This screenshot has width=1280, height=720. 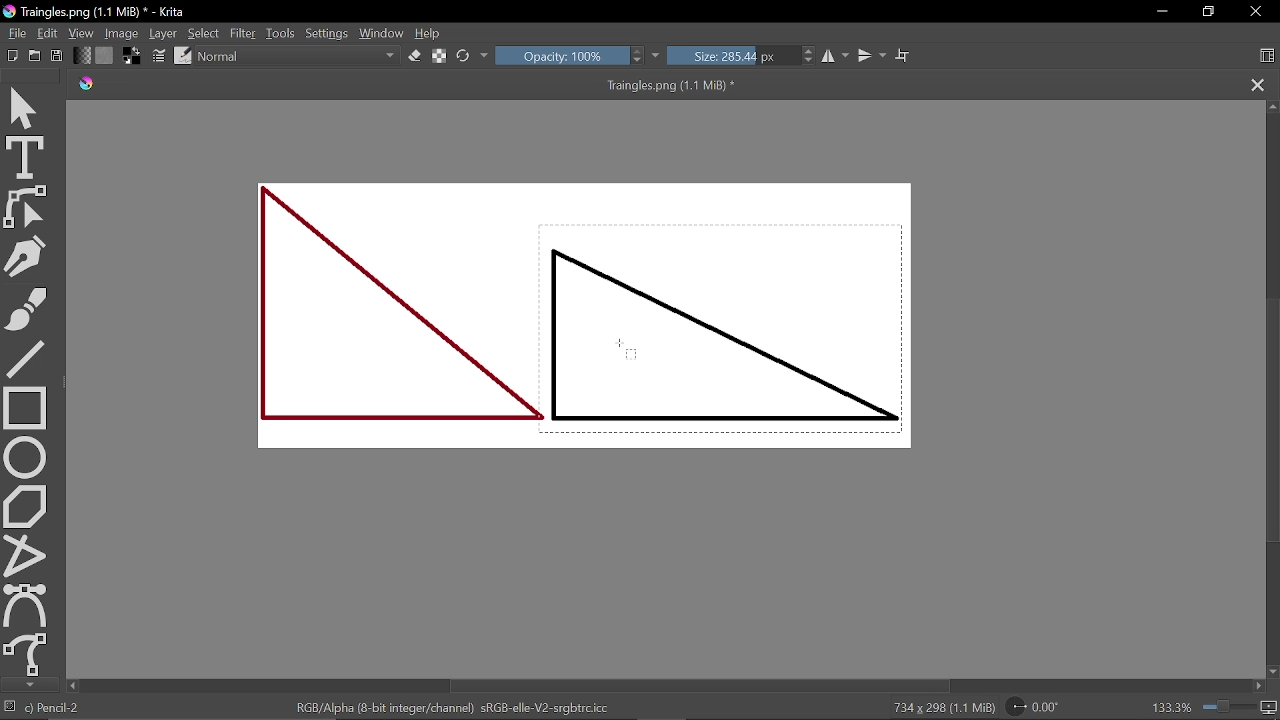 I want to click on Traingles.png (1.1 MiB) * - Krita, so click(x=99, y=12).